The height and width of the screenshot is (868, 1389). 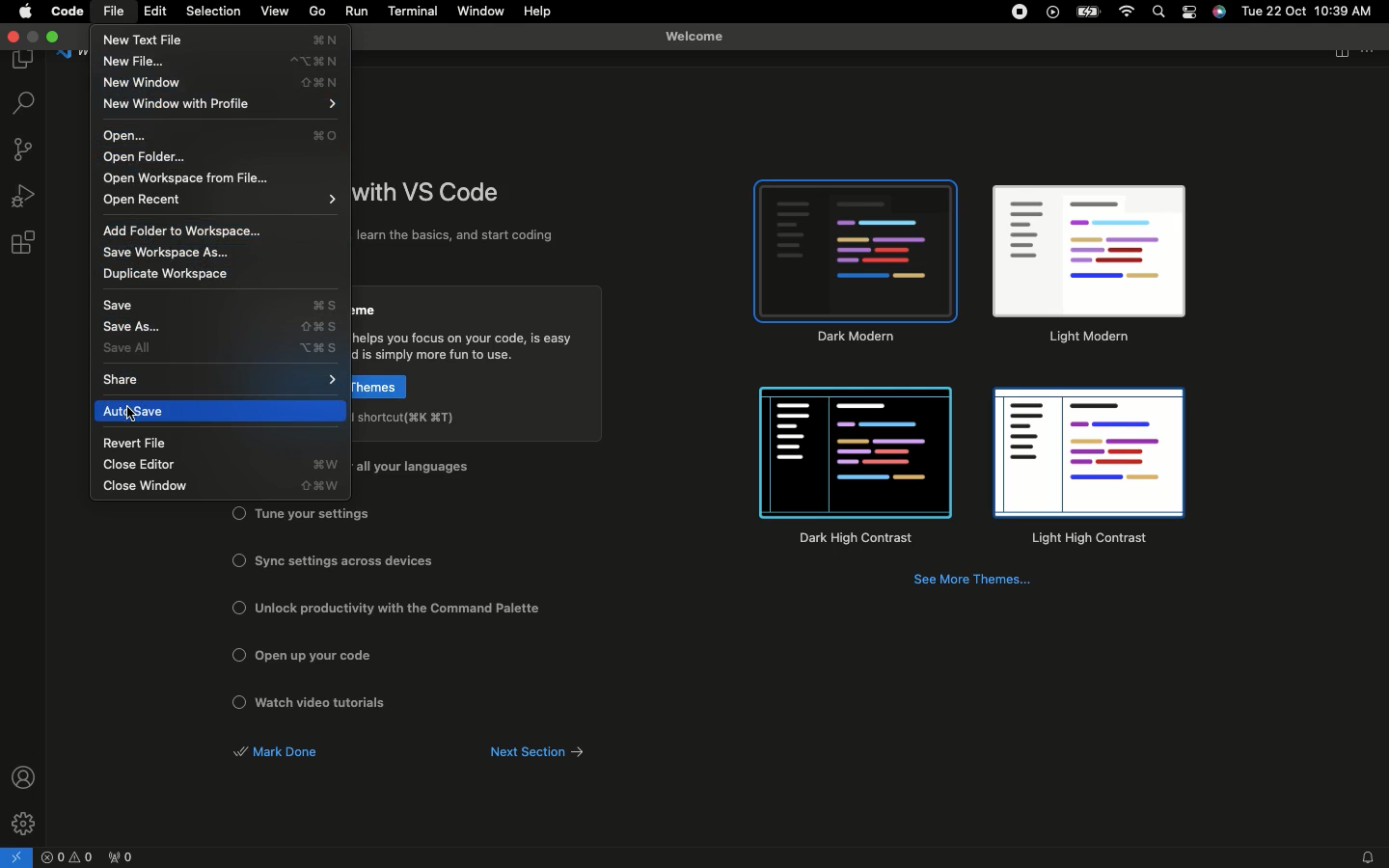 What do you see at coordinates (857, 468) in the screenshot?
I see `Dark high contrast` at bounding box center [857, 468].